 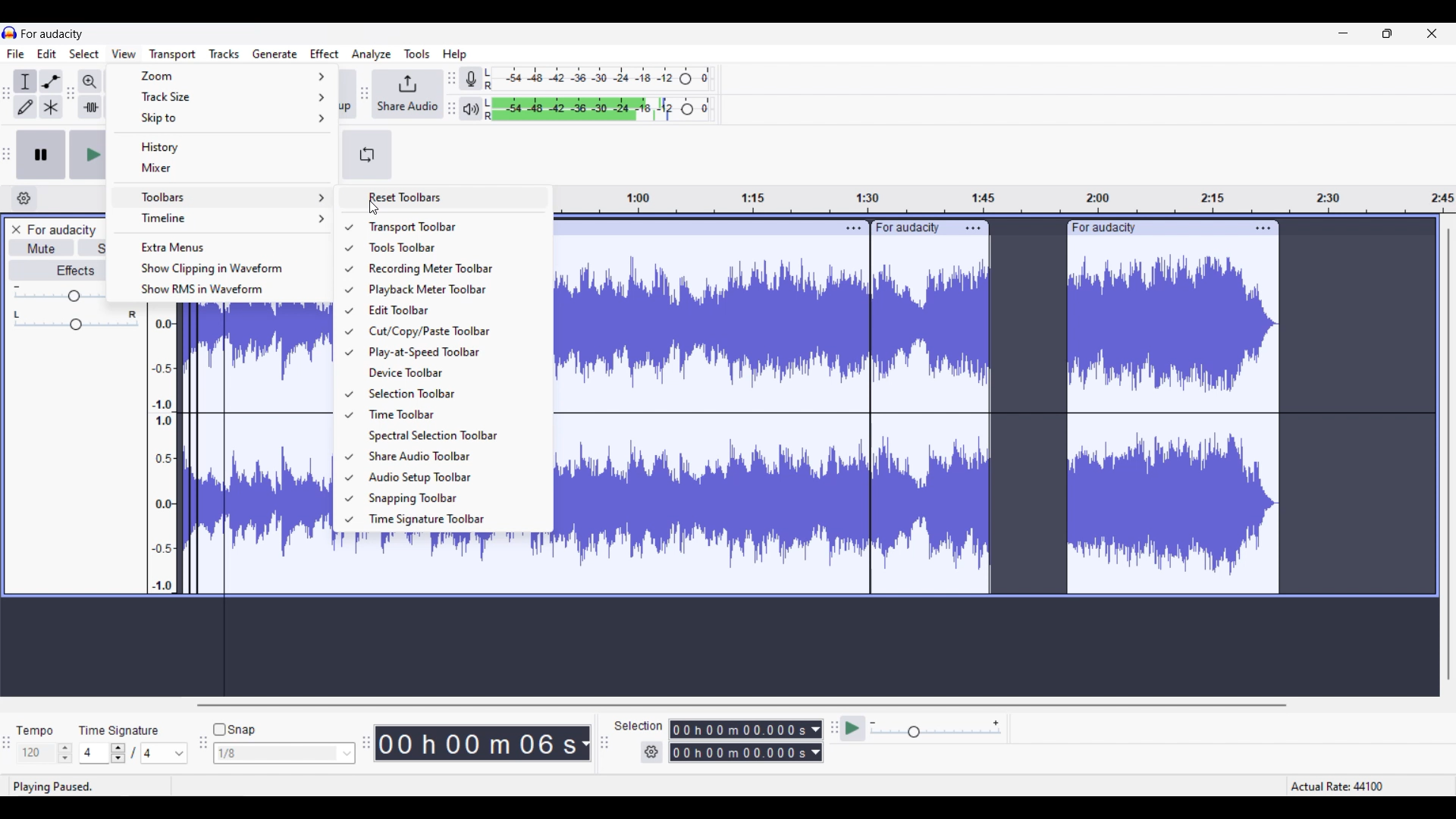 What do you see at coordinates (84, 54) in the screenshot?
I see `Select menu` at bounding box center [84, 54].